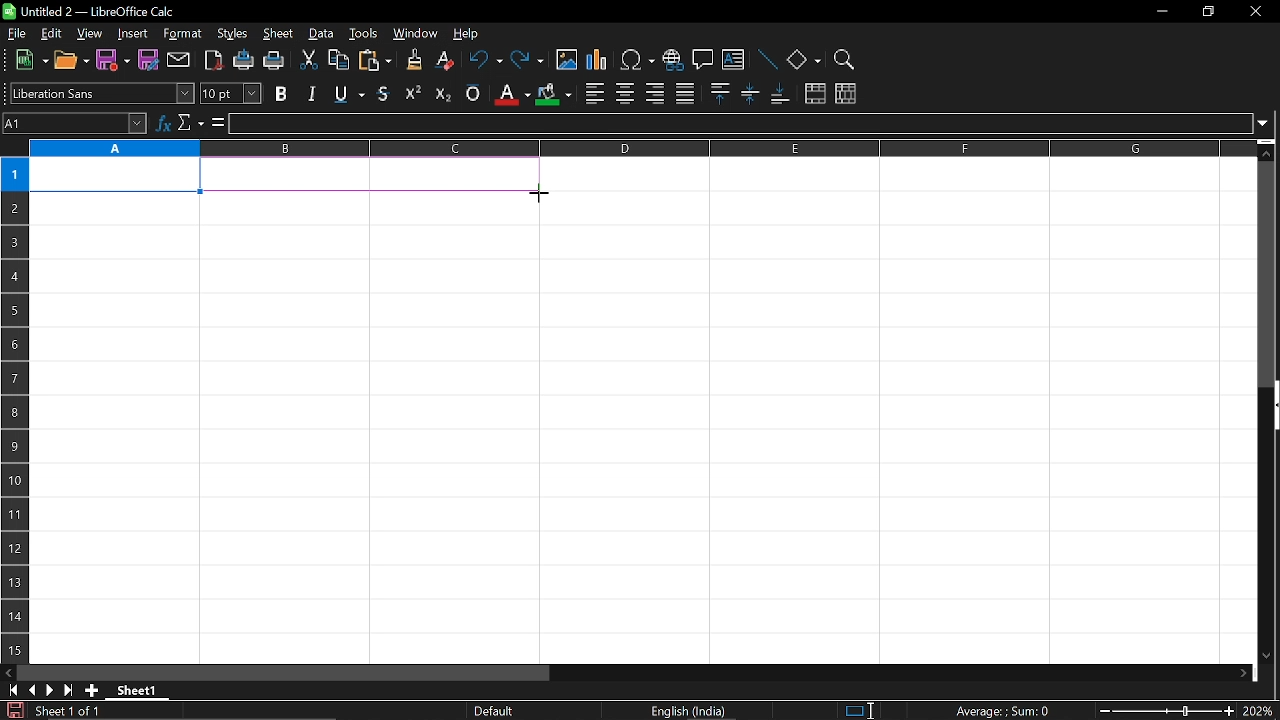 The height and width of the screenshot is (720, 1280). What do you see at coordinates (190, 124) in the screenshot?
I see `select function` at bounding box center [190, 124].